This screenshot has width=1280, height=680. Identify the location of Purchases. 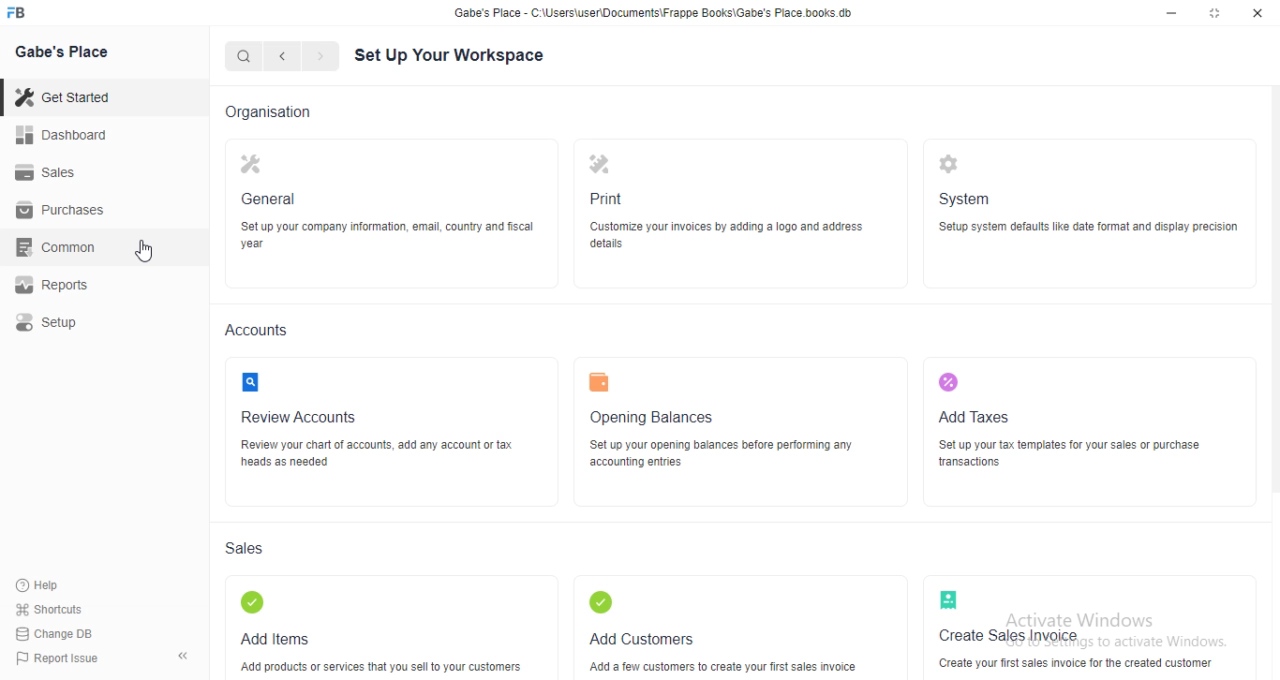
(66, 210).